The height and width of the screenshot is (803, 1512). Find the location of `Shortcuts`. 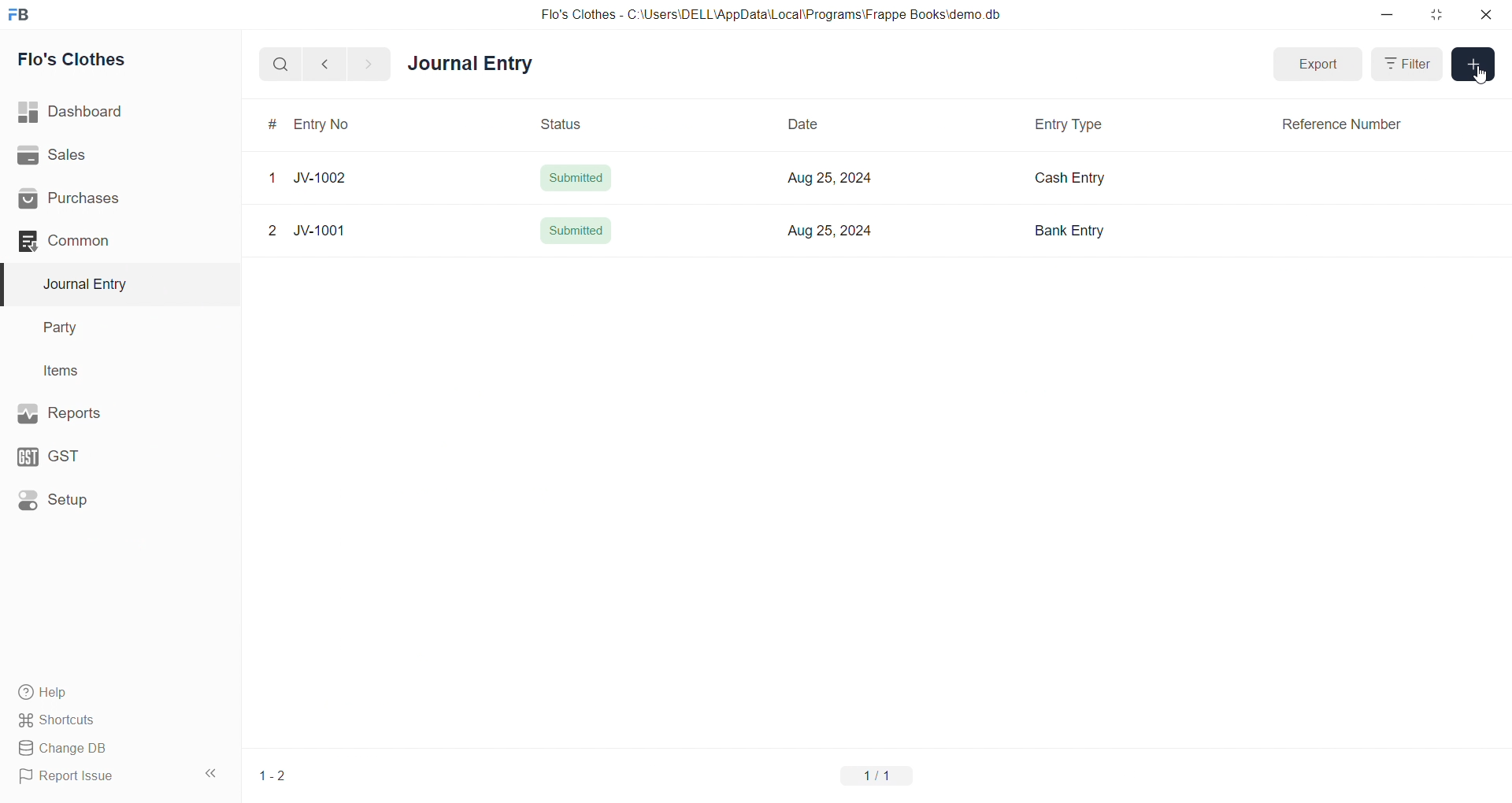

Shortcuts is located at coordinates (115, 719).